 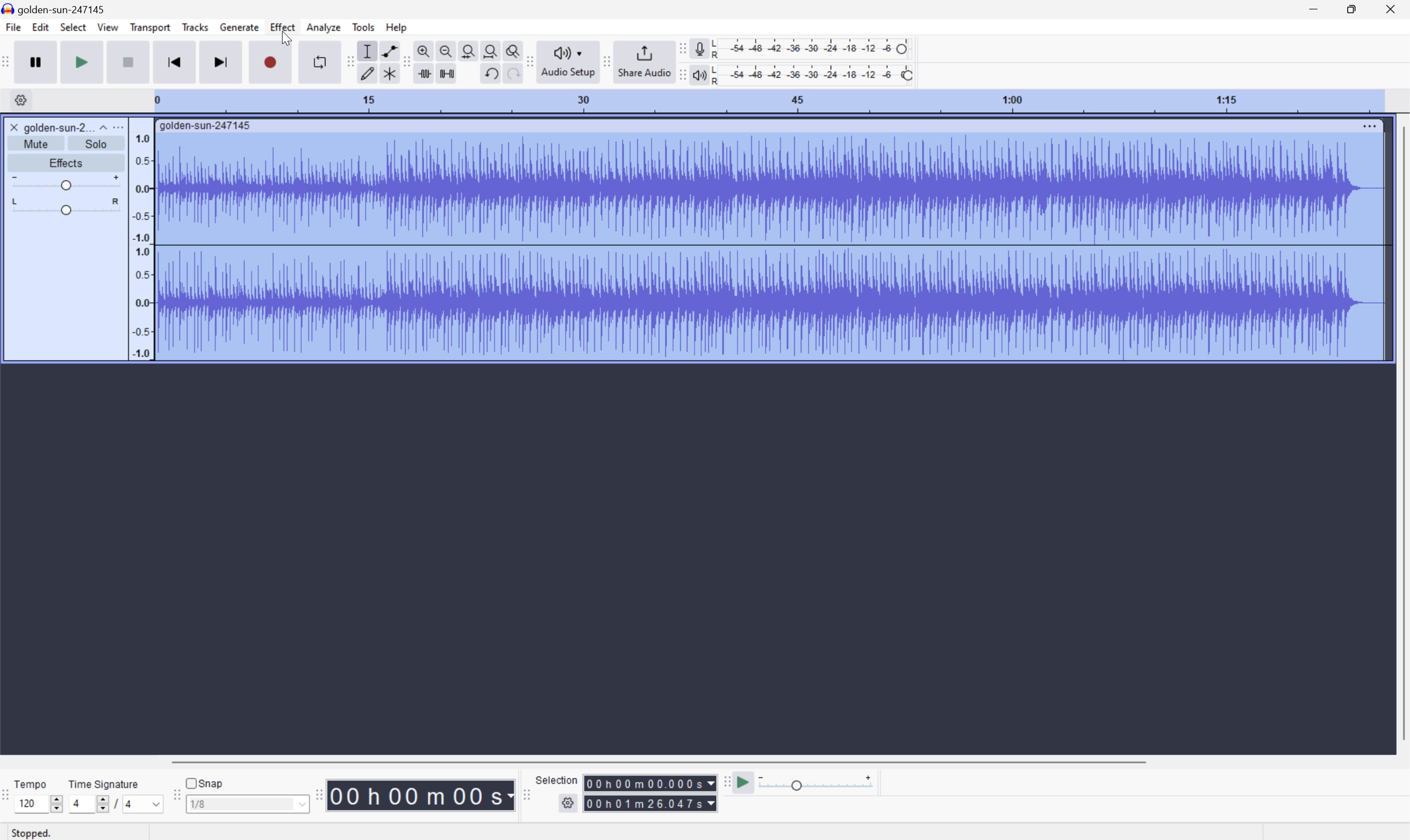 What do you see at coordinates (813, 48) in the screenshot?
I see `Recording level: 62%` at bounding box center [813, 48].